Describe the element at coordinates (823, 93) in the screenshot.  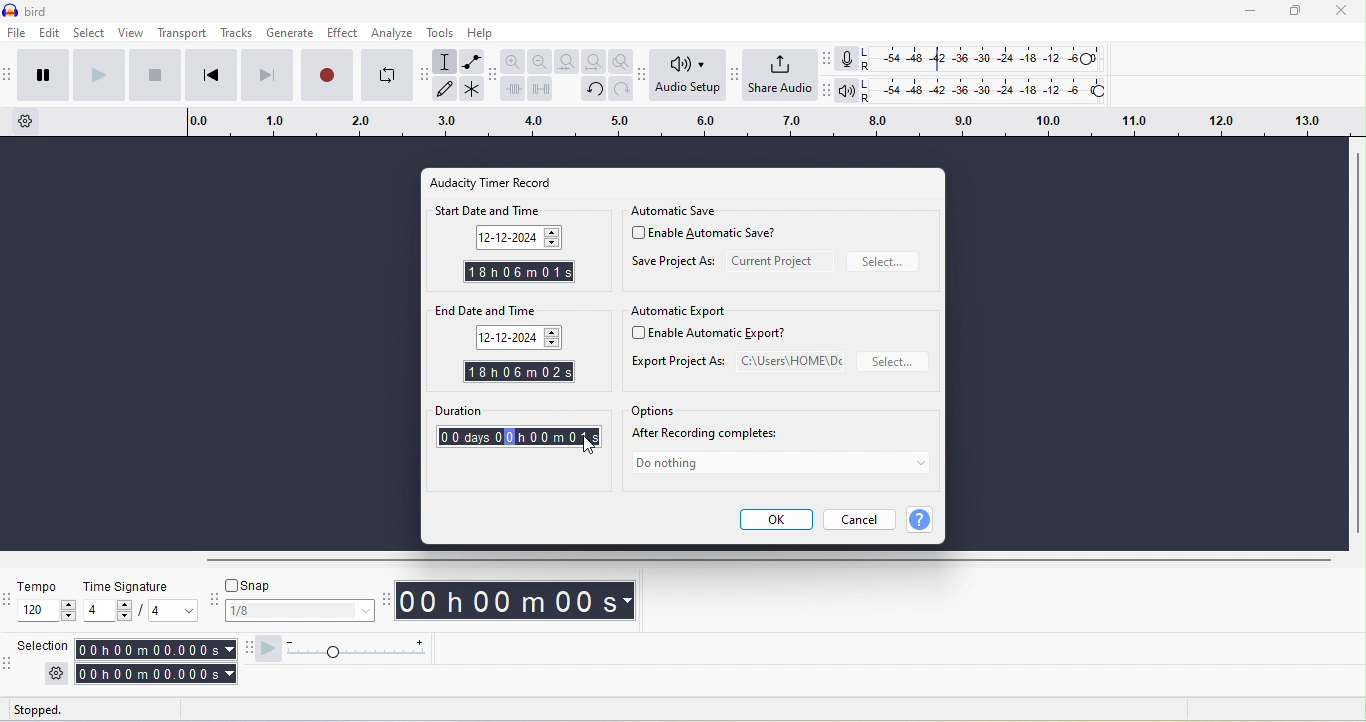
I see `audacity play back meter toolbar` at that location.